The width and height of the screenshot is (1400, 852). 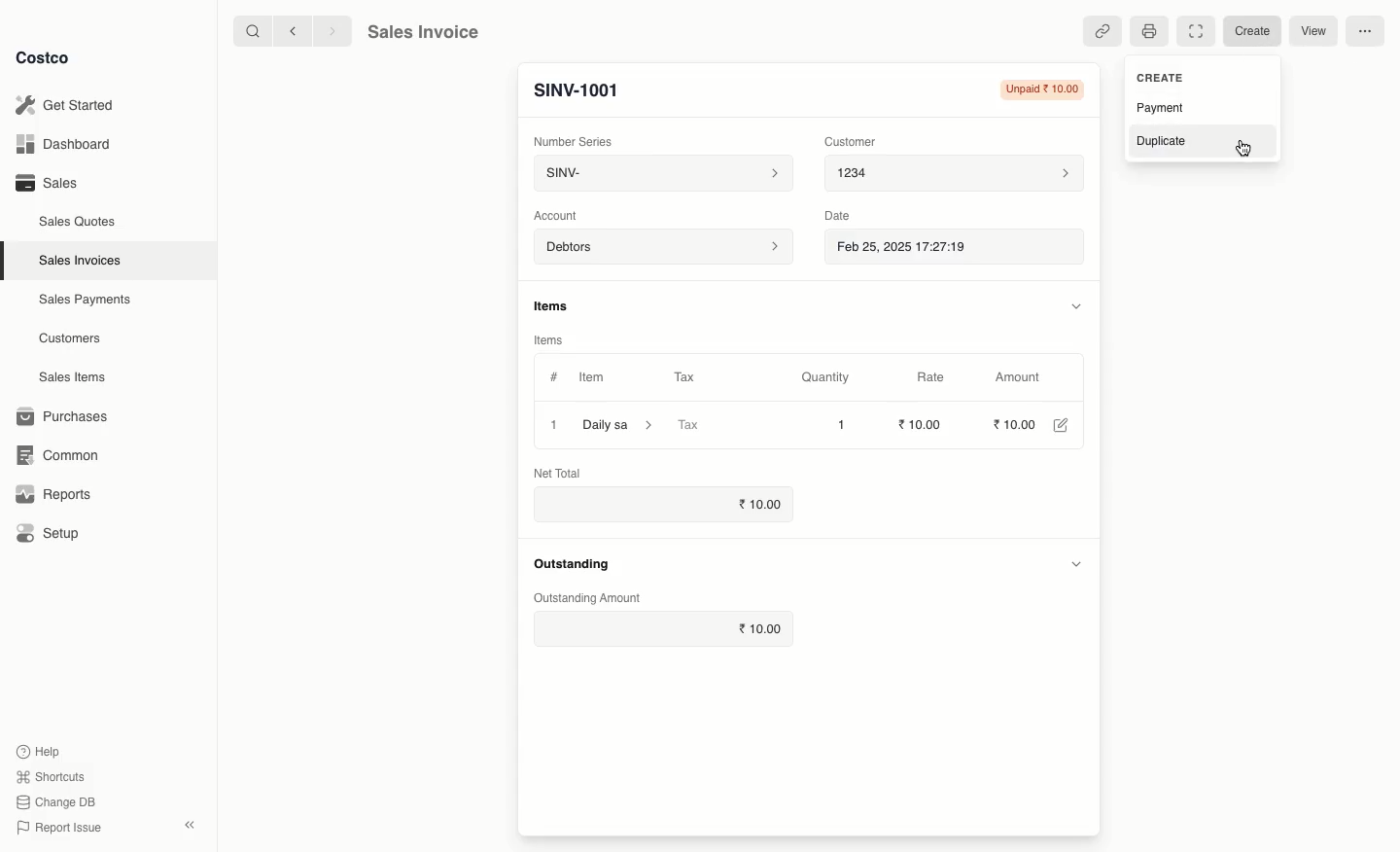 What do you see at coordinates (48, 184) in the screenshot?
I see `Sales` at bounding box center [48, 184].